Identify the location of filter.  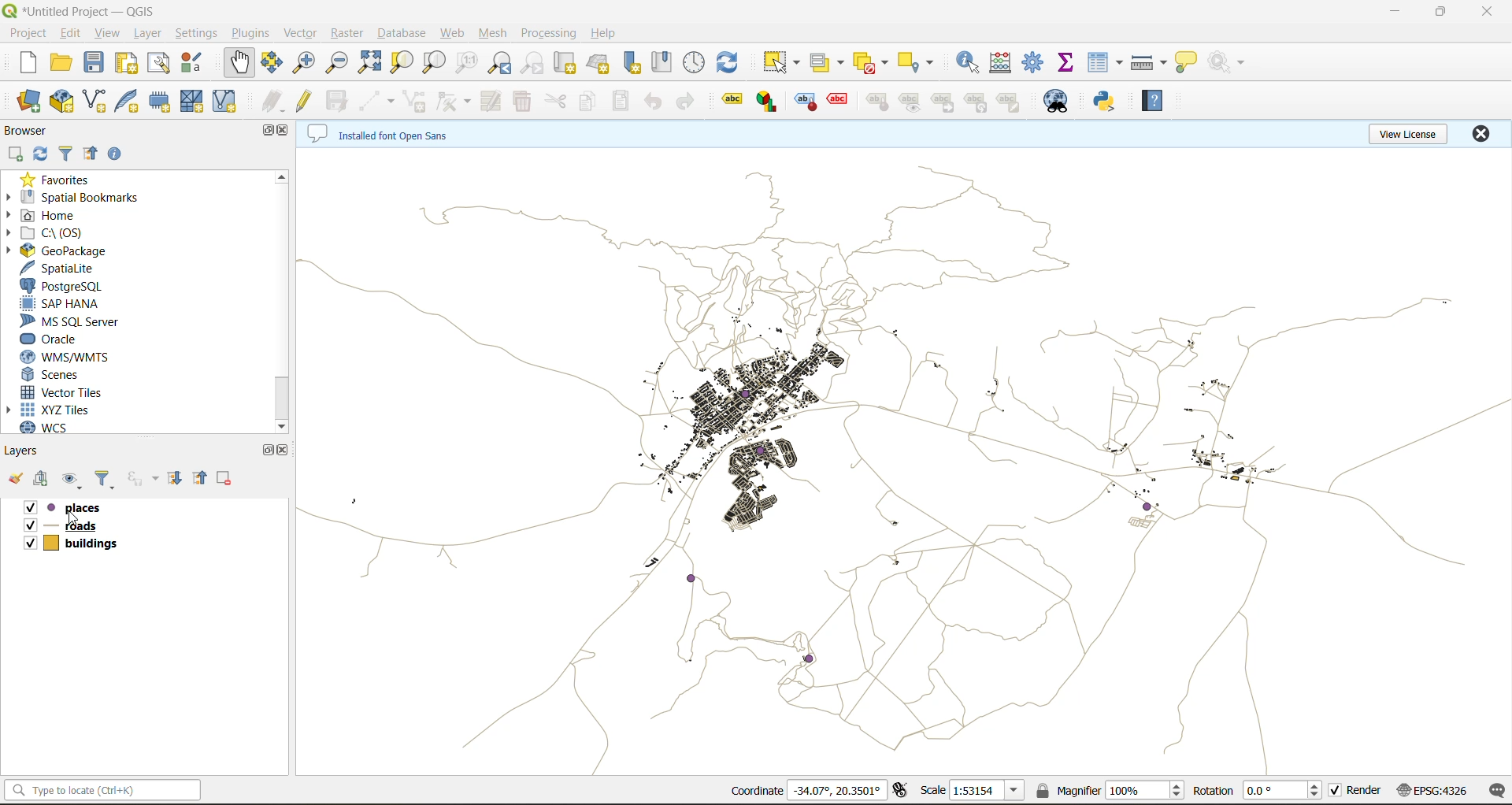
(61, 155).